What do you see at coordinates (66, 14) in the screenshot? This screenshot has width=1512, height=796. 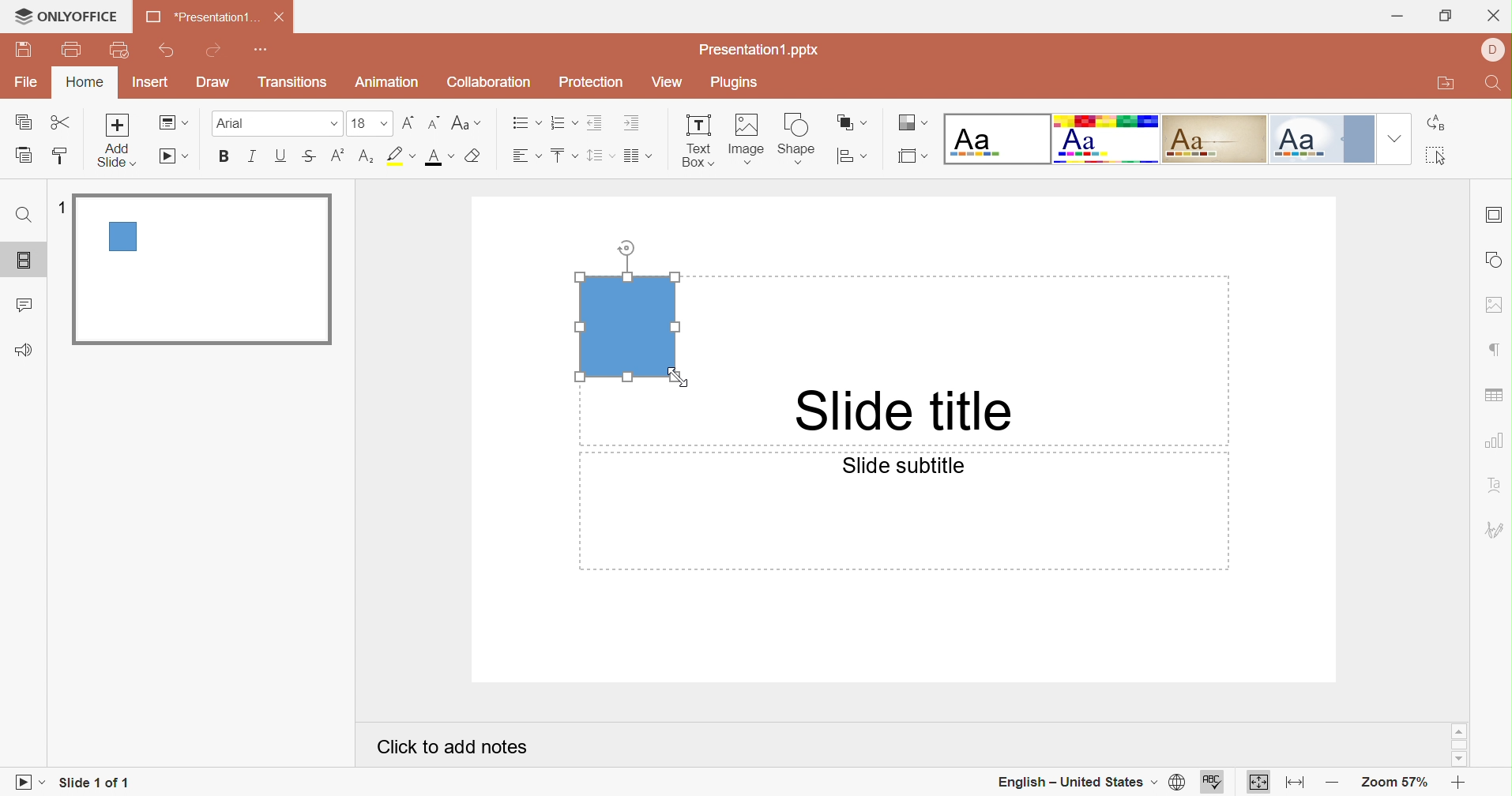 I see `ONLYOFFICE` at bounding box center [66, 14].